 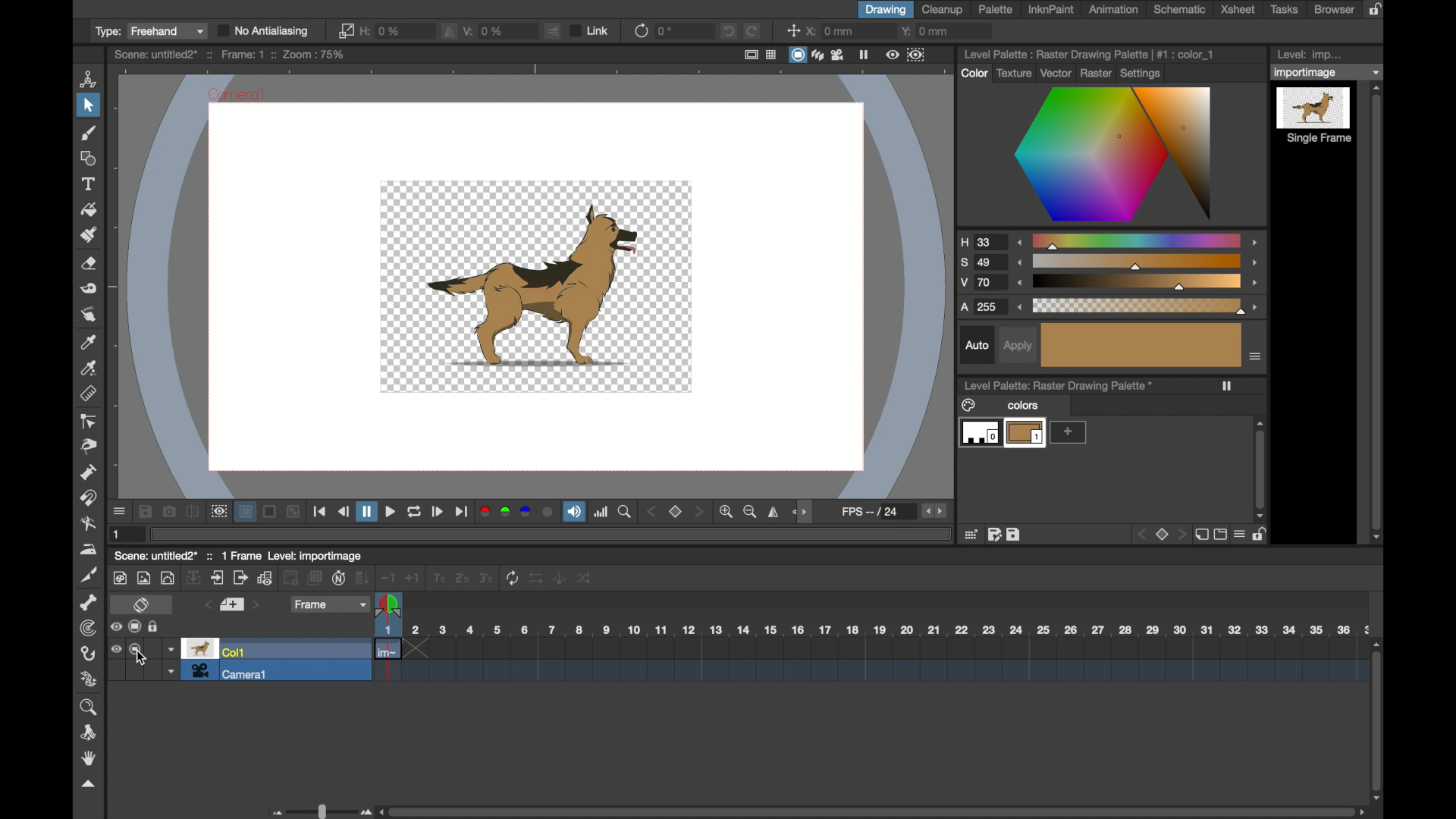 I want to click on freeze, so click(x=1228, y=386).